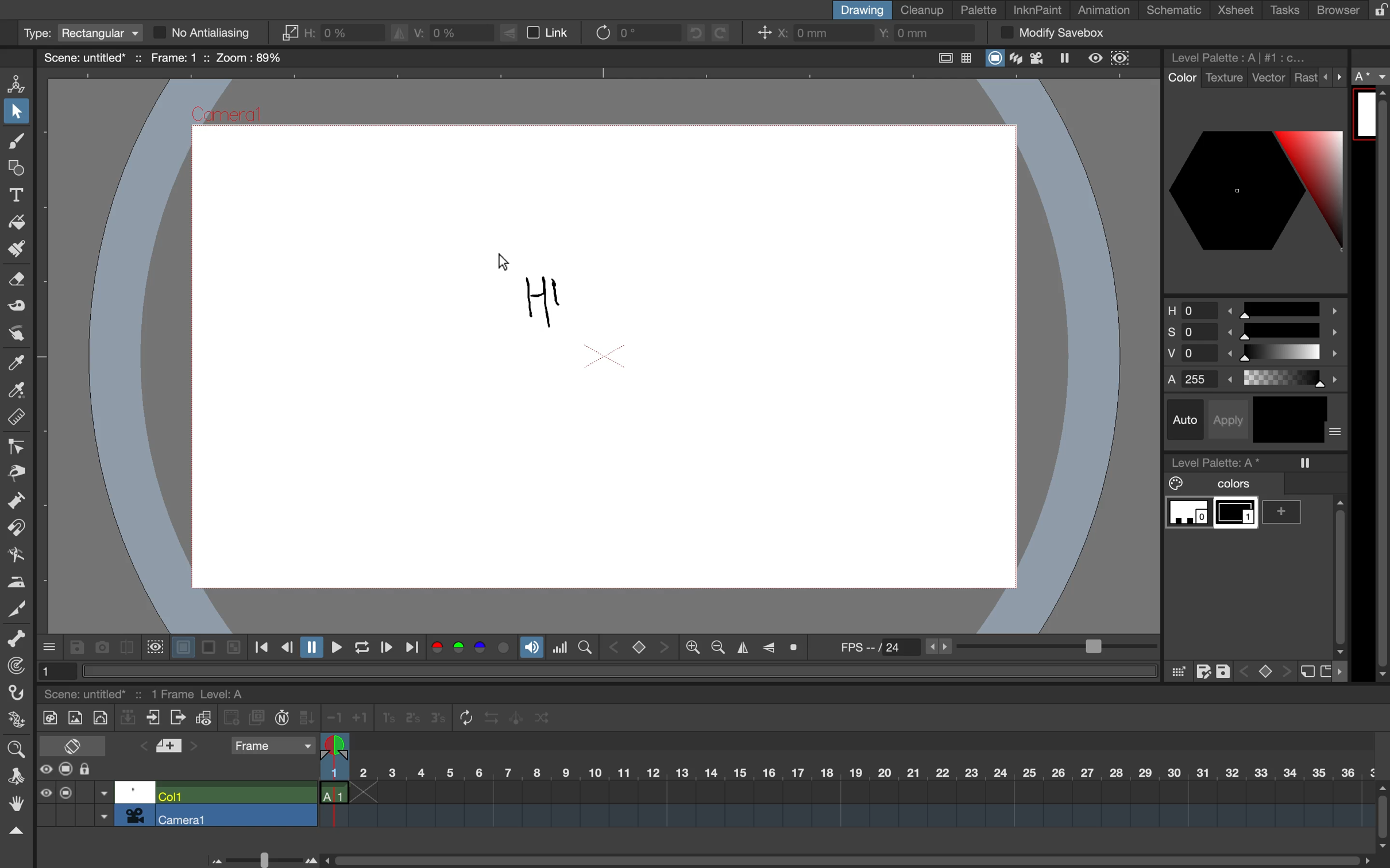 This screenshot has width=1390, height=868. What do you see at coordinates (66, 770) in the screenshot?
I see `camera stand visibility toggle all` at bounding box center [66, 770].